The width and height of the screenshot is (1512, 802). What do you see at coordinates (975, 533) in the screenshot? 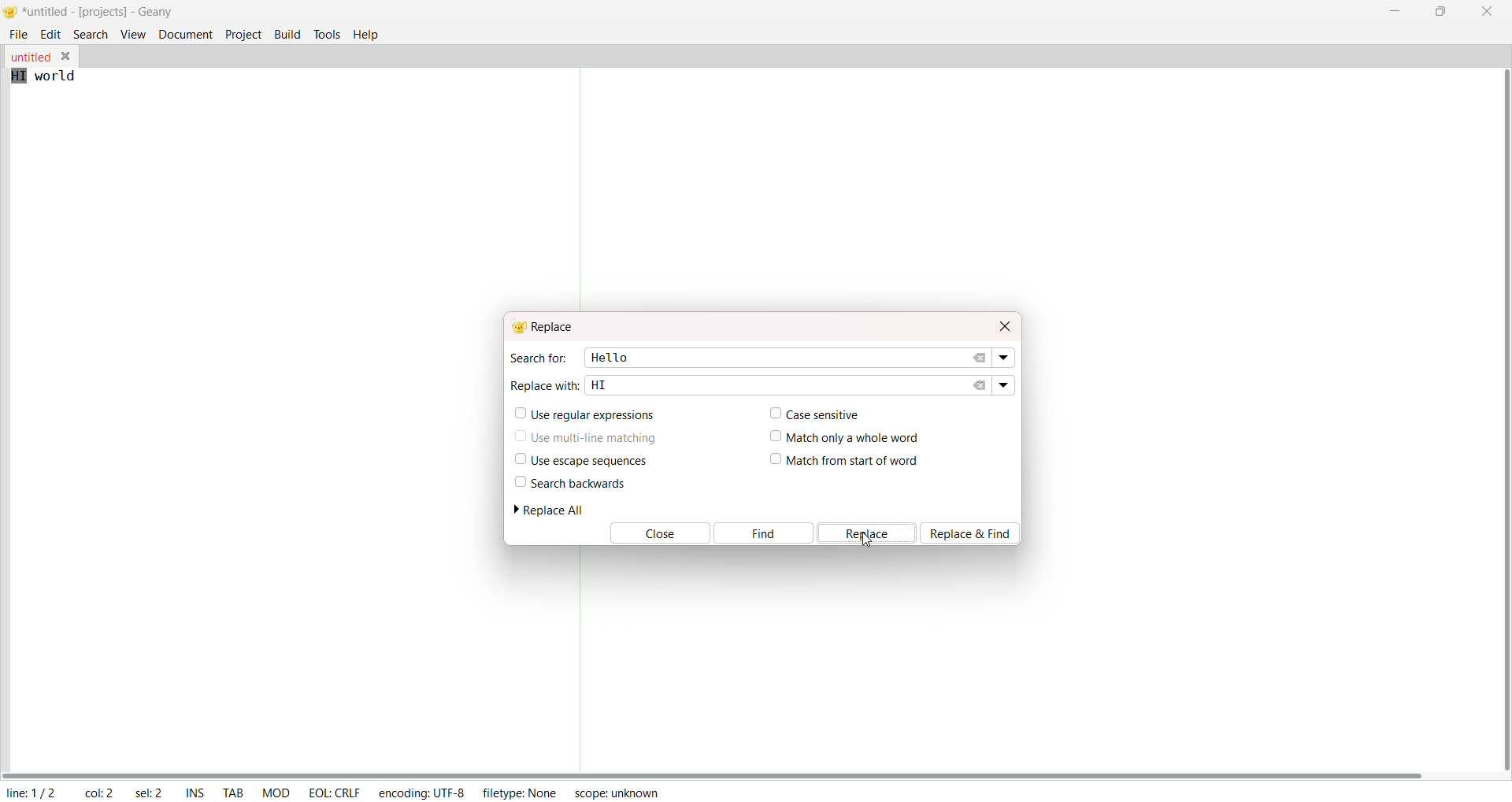
I see `Replace & Find` at bounding box center [975, 533].